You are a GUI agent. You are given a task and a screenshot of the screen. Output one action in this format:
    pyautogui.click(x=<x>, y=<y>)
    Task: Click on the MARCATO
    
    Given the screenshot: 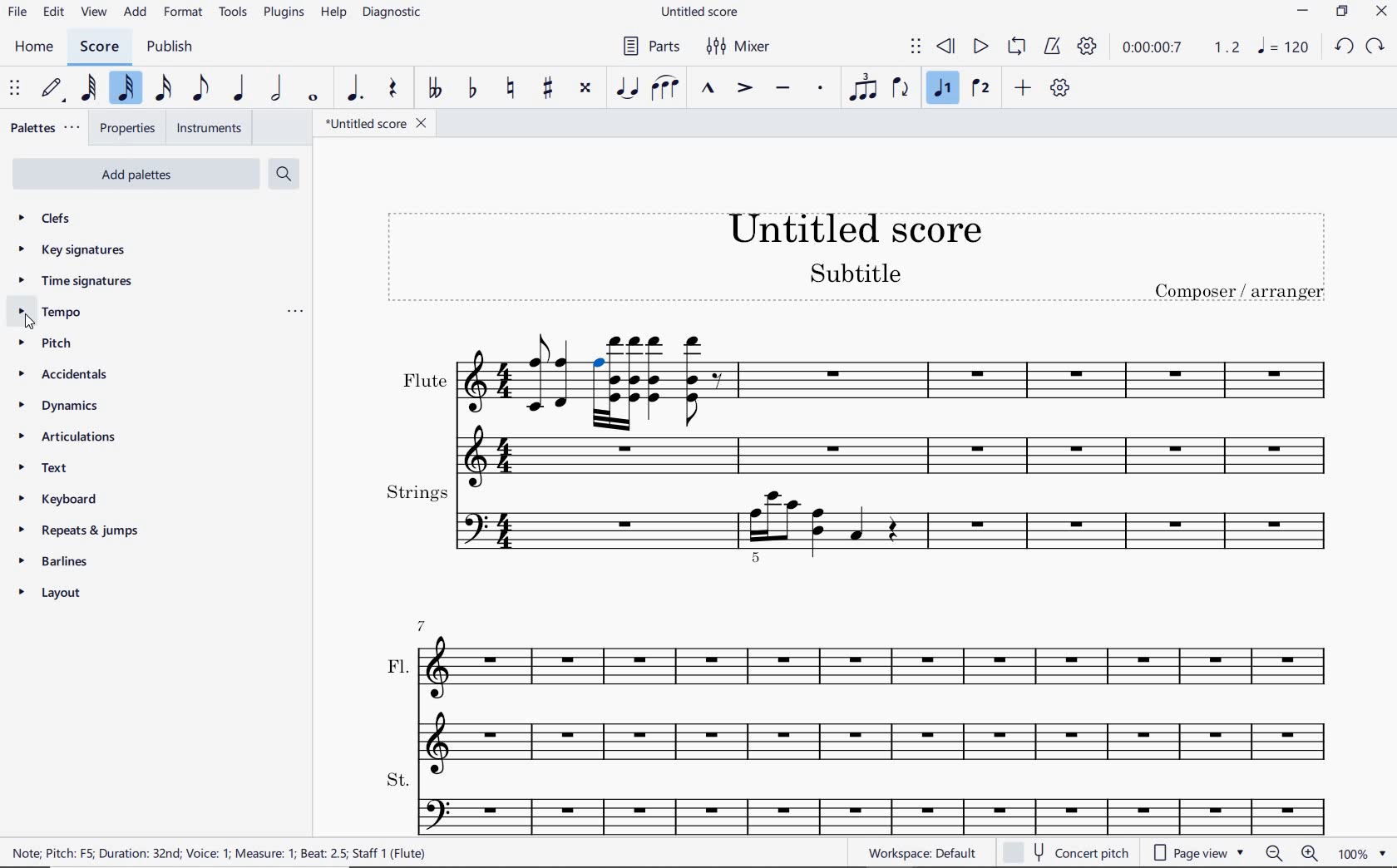 What is the action you would take?
    pyautogui.click(x=707, y=91)
    